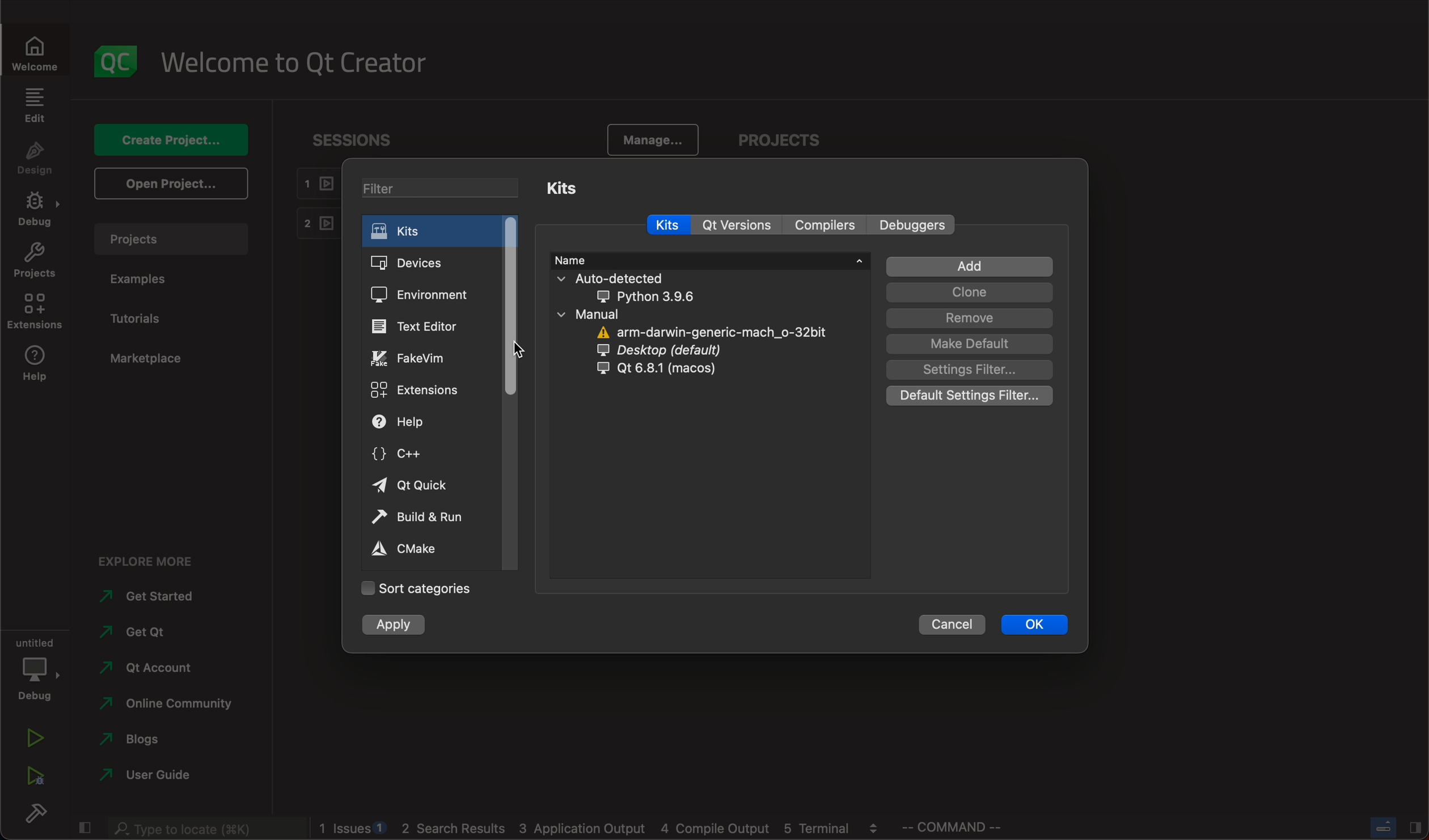  What do you see at coordinates (147, 563) in the screenshot?
I see `explore` at bounding box center [147, 563].